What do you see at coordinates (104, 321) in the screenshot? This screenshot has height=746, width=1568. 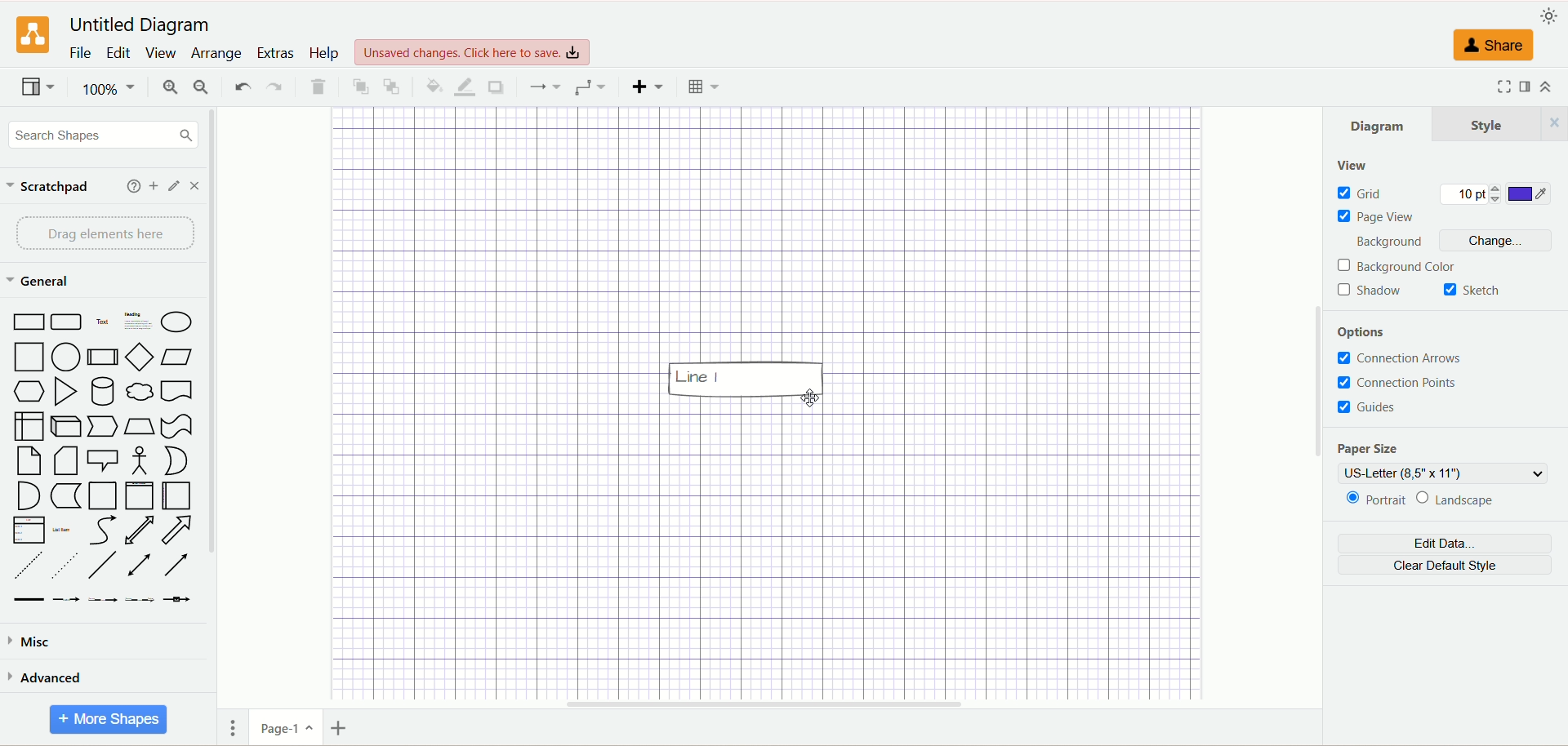 I see `Text` at bounding box center [104, 321].